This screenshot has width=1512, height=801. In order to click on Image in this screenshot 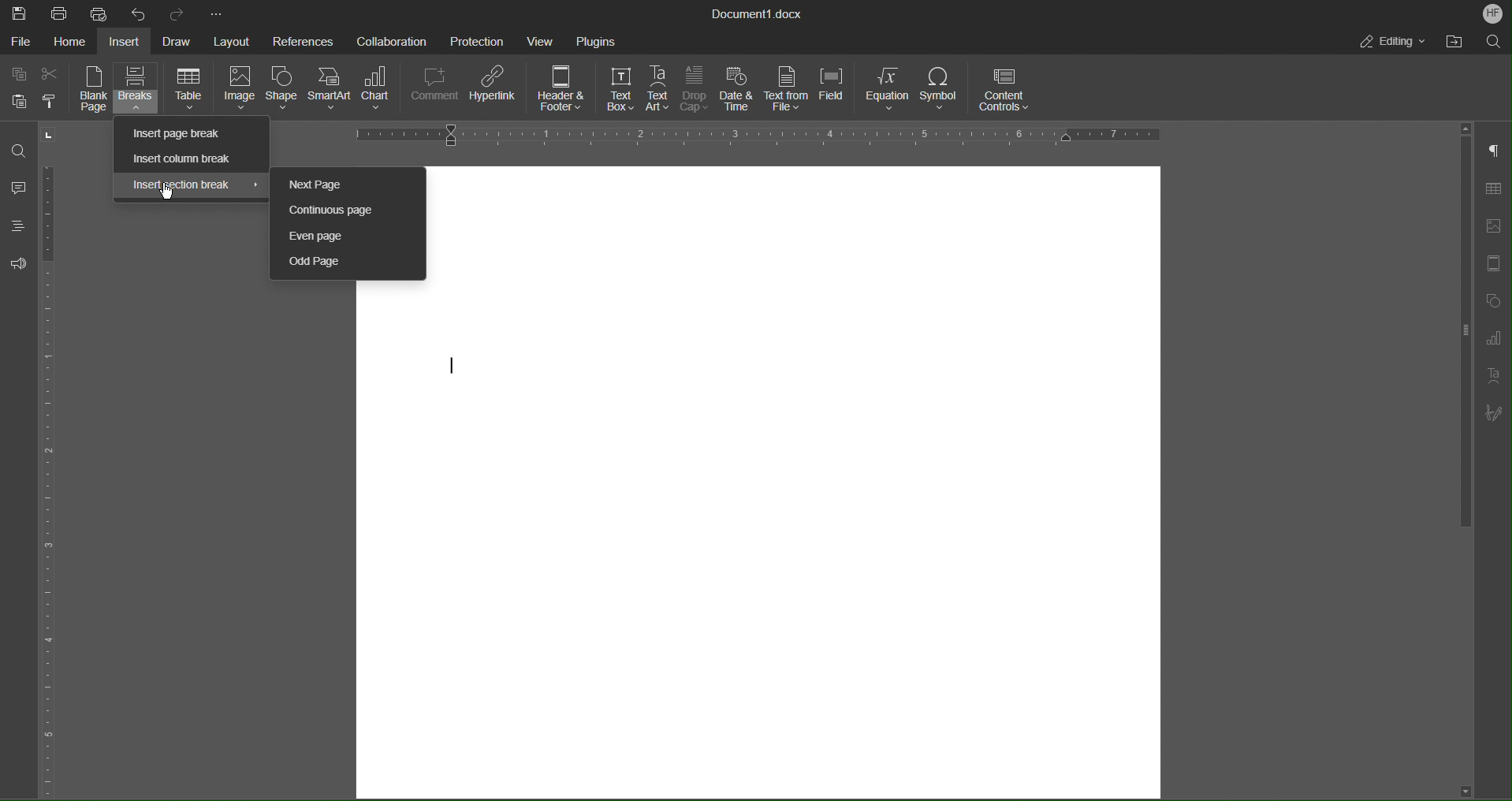, I will do `click(239, 90)`.